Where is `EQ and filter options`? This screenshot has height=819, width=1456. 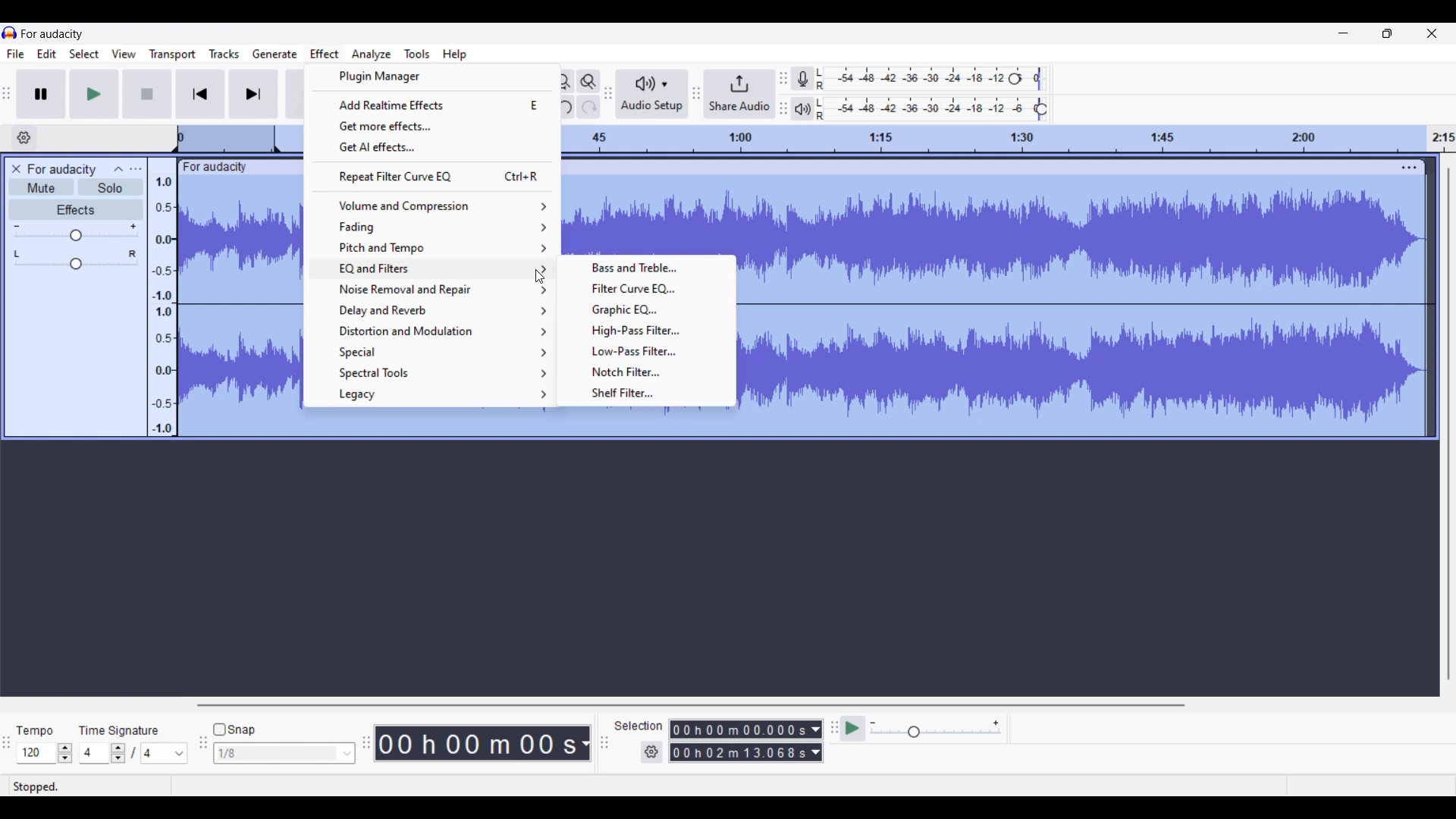 EQ and filter options is located at coordinates (434, 269).